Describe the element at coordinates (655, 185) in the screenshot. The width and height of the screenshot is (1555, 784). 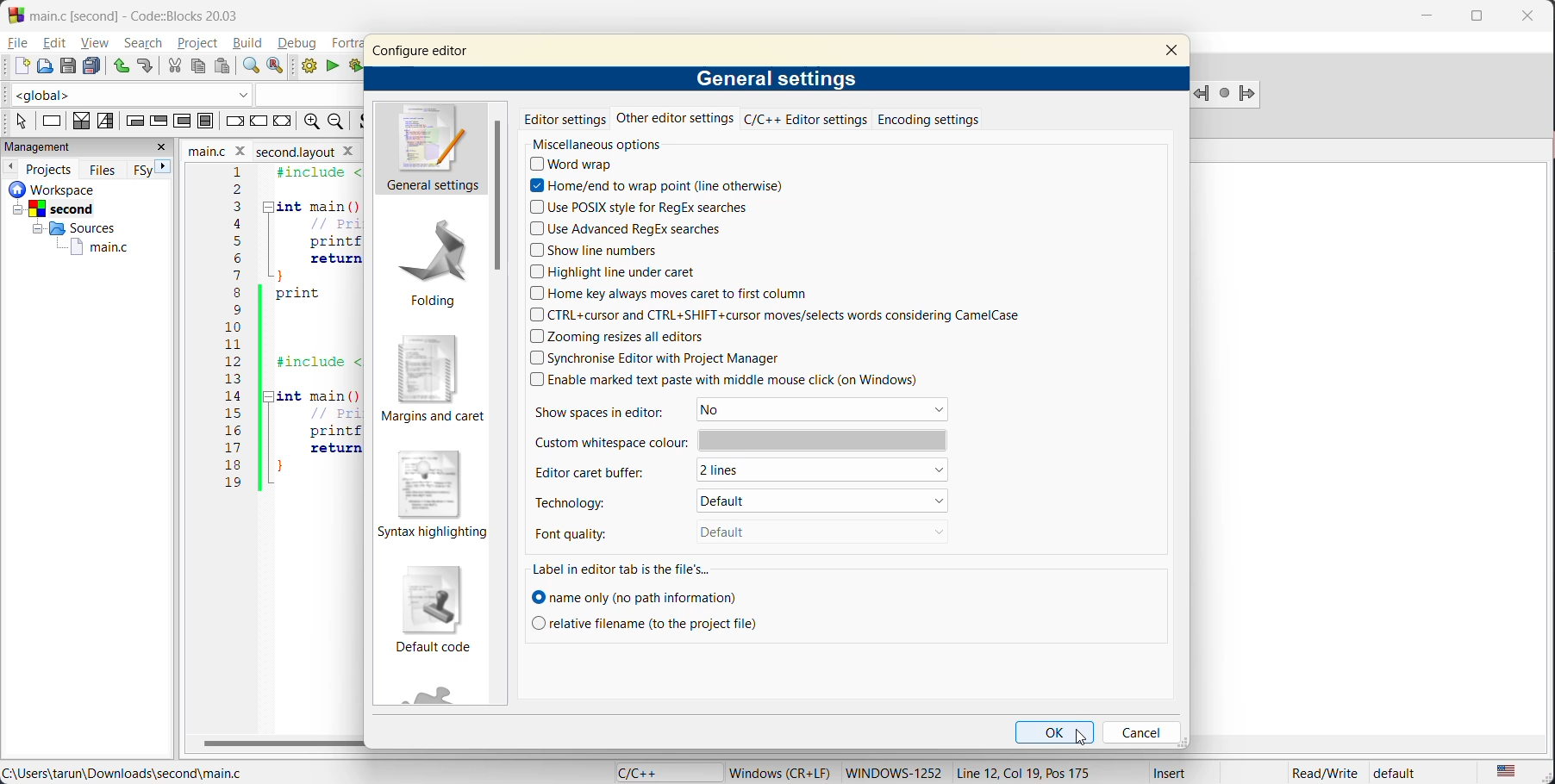
I see `home/end to wrap point` at that location.